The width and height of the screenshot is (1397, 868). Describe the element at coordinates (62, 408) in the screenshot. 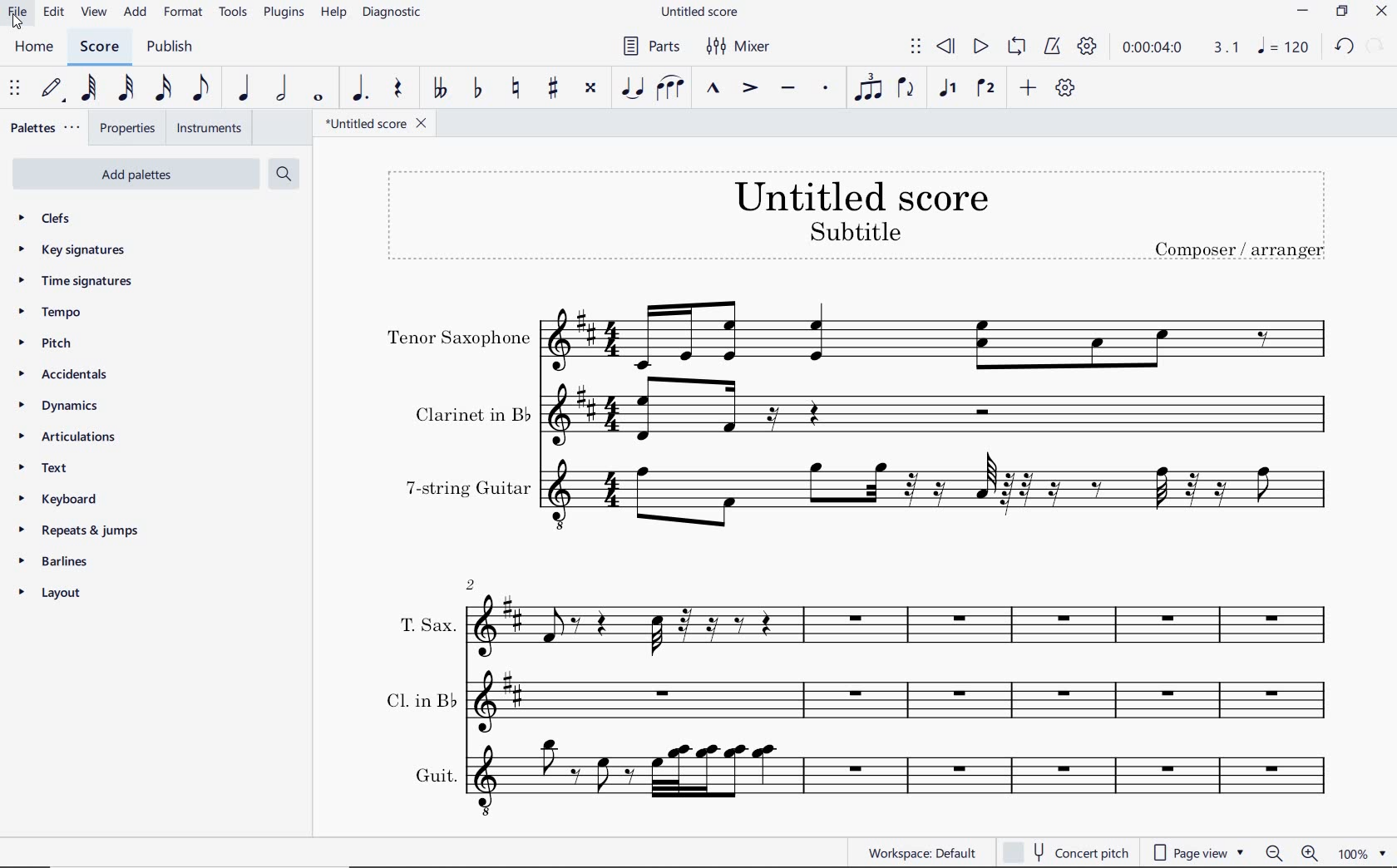

I see `DYNAMICS` at that location.